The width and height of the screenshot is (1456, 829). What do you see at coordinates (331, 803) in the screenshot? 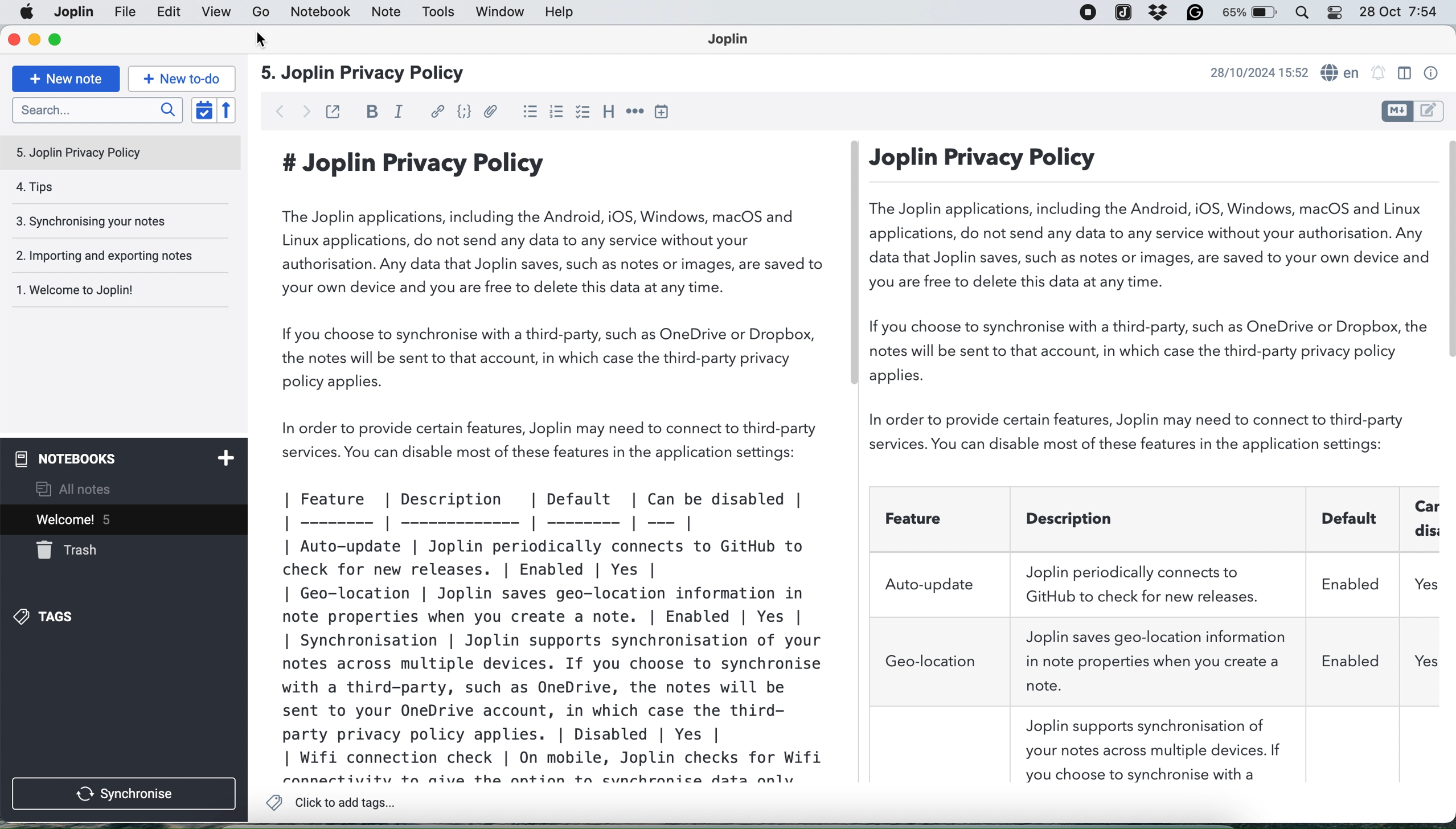
I see `click to add tags` at bounding box center [331, 803].